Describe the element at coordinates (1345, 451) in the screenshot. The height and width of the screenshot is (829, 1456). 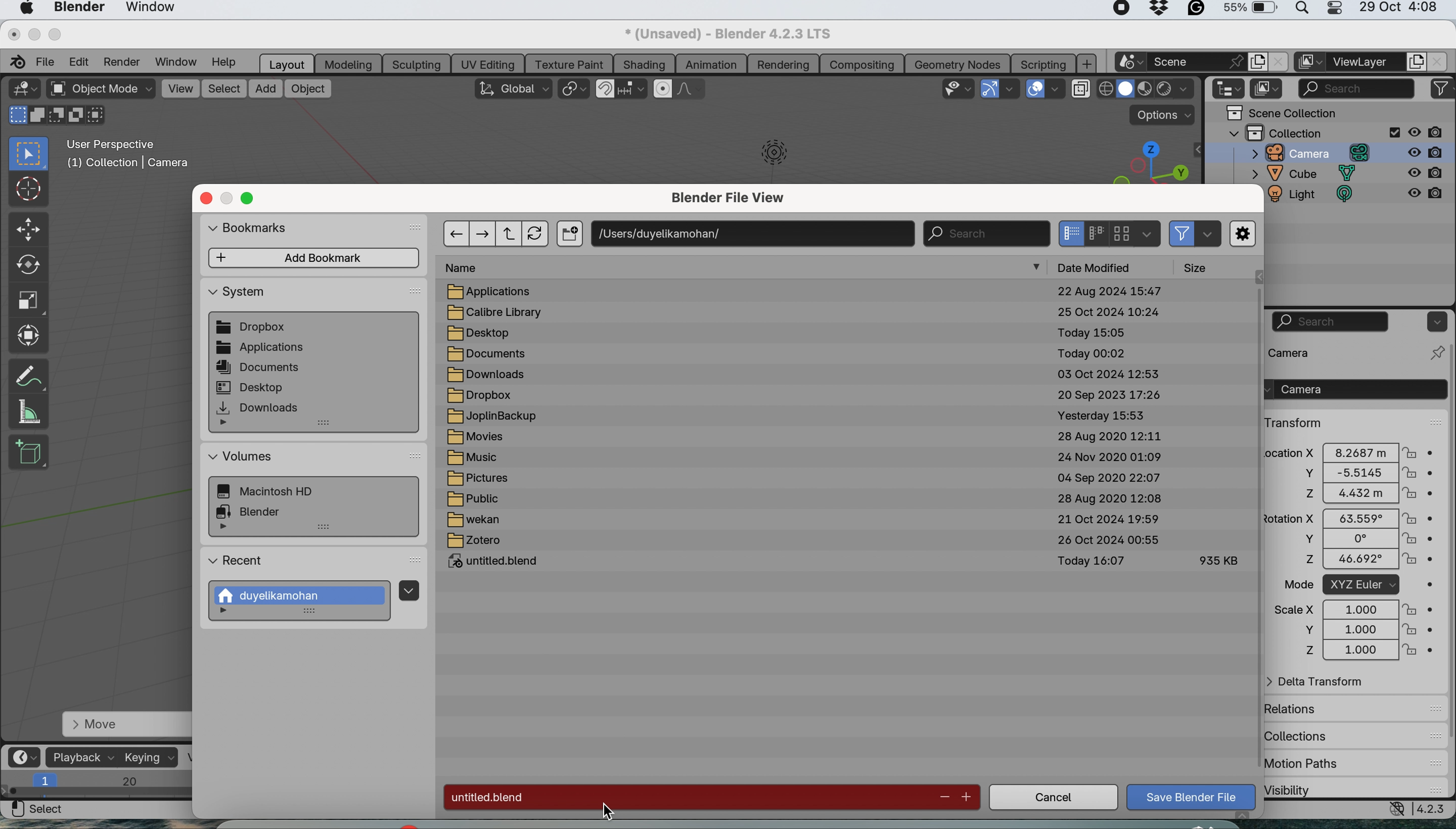
I see `Location x 8.2687` at that location.